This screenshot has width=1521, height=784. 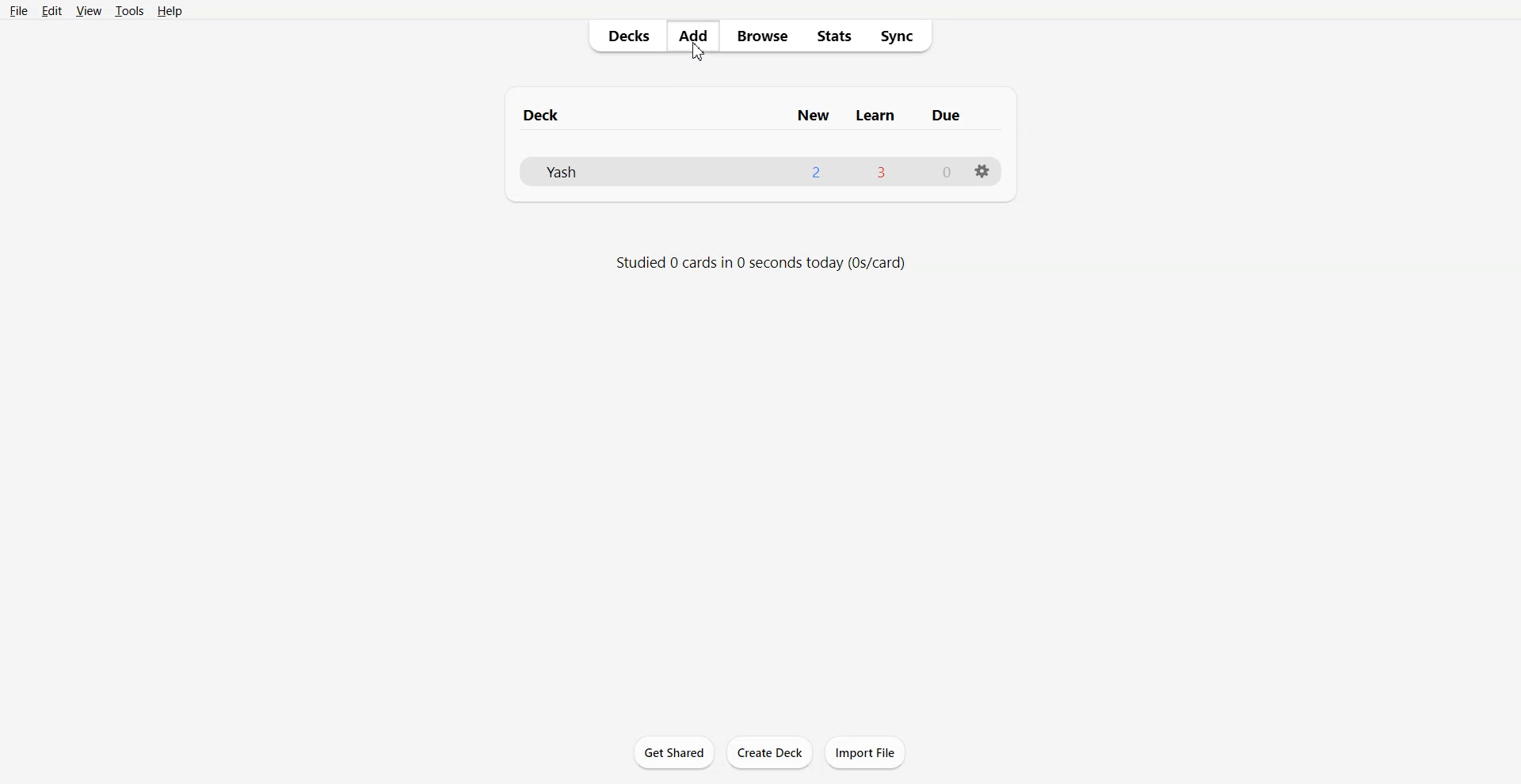 I want to click on Add, so click(x=693, y=36).